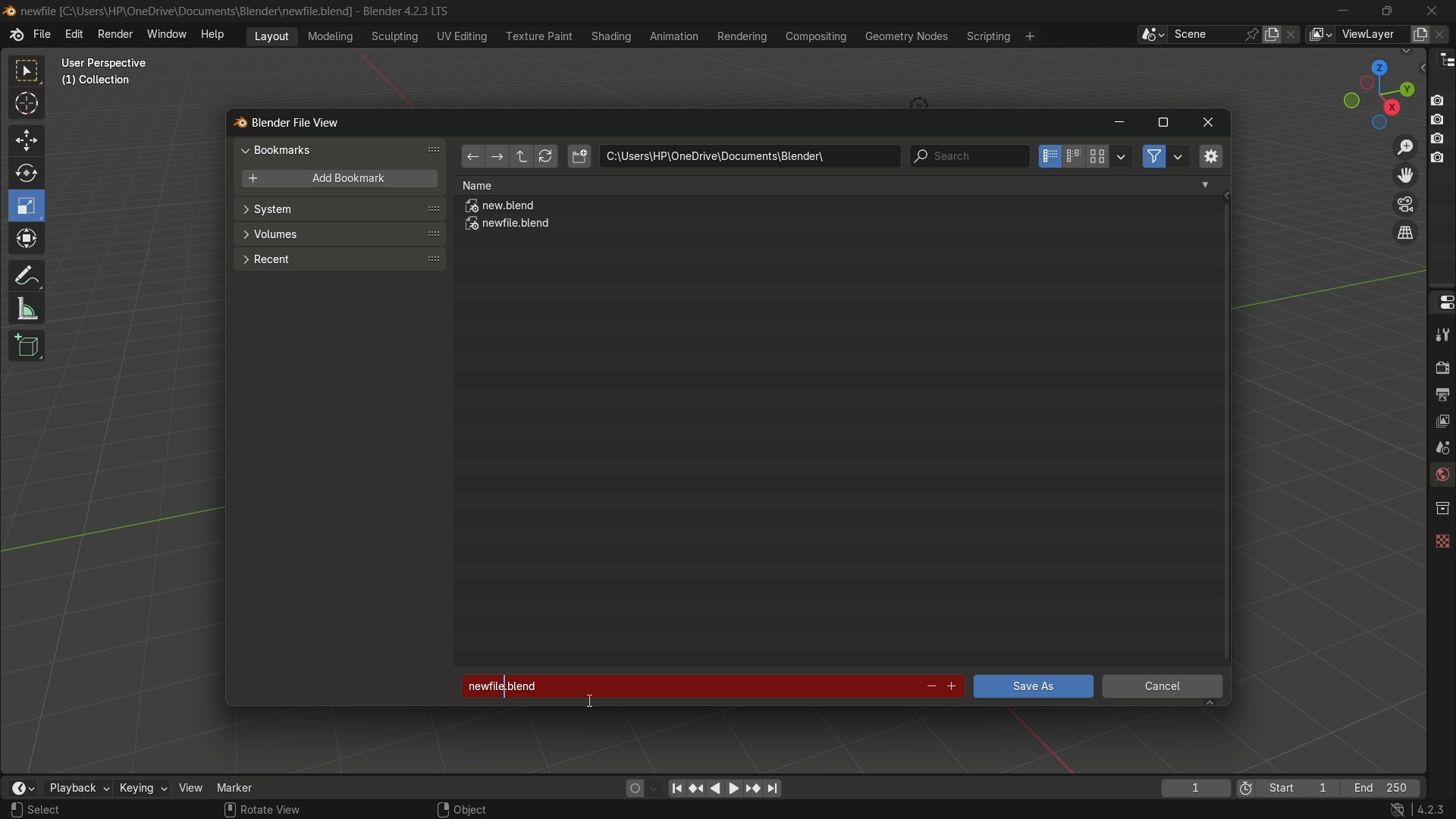  I want to click on vertical list, so click(1048, 156).